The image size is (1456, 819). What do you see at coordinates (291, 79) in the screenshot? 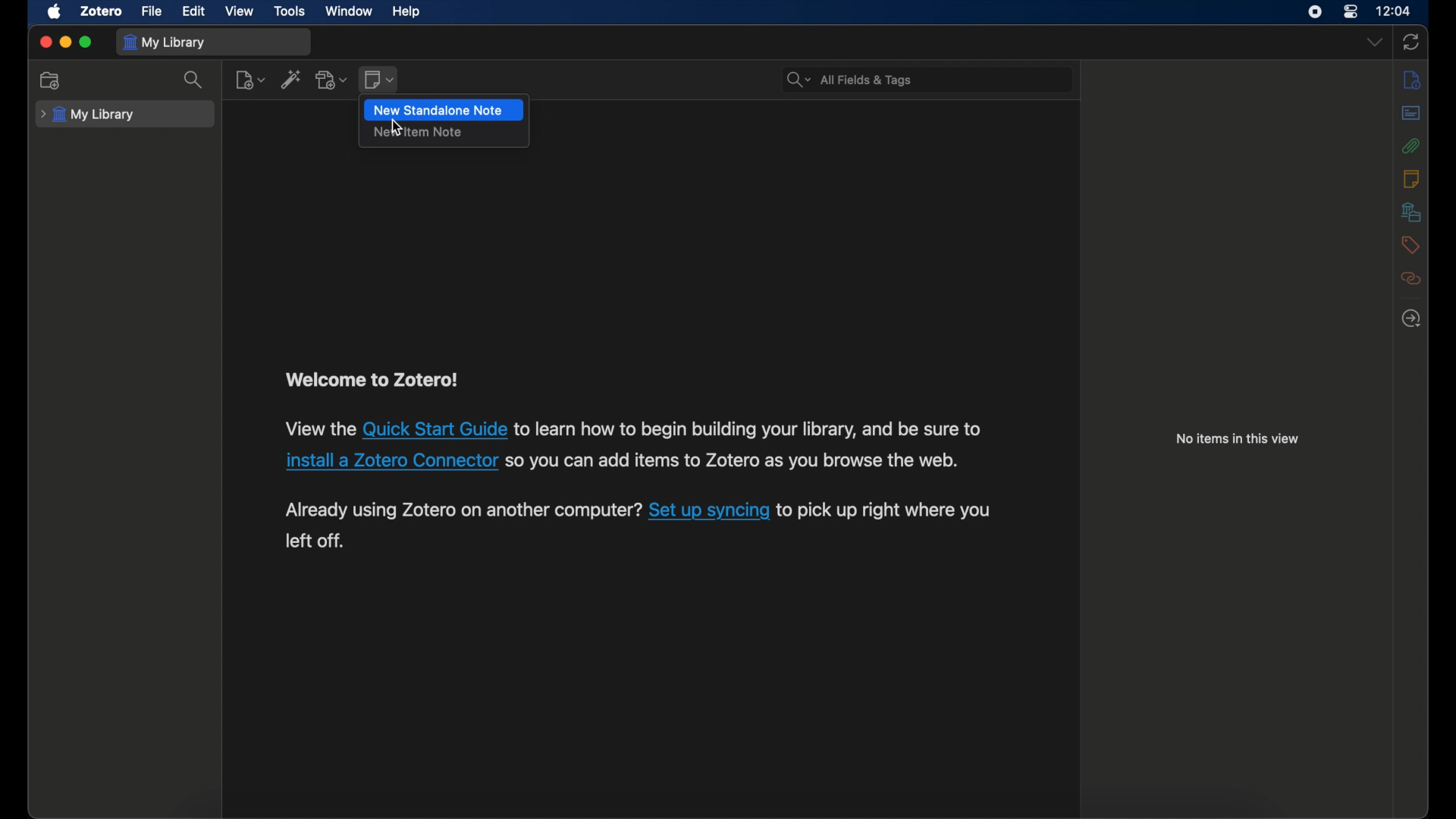
I see `add items by identifier` at bounding box center [291, 79].